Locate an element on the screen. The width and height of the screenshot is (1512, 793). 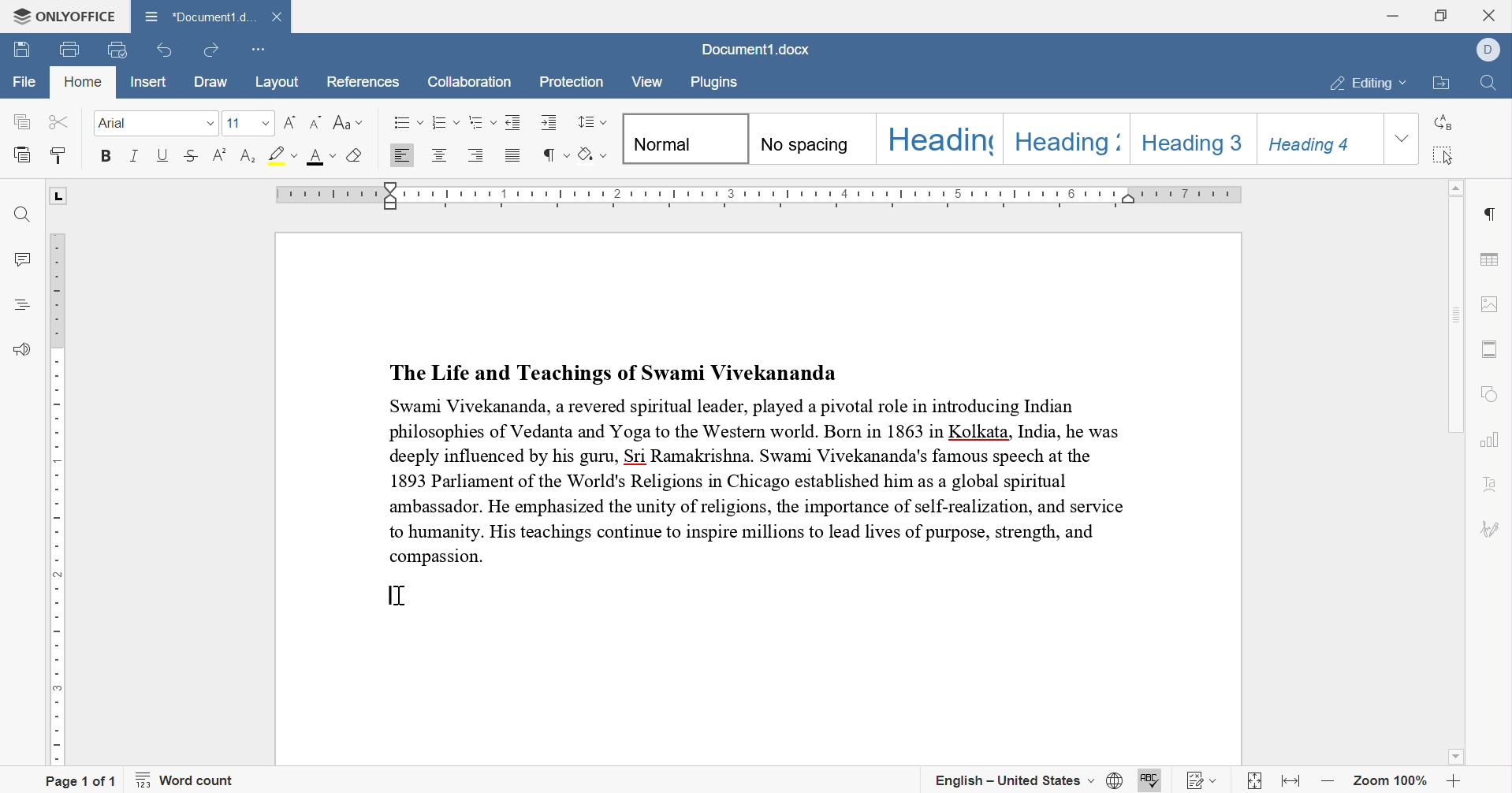
headings is located at coordinates (24, 304).